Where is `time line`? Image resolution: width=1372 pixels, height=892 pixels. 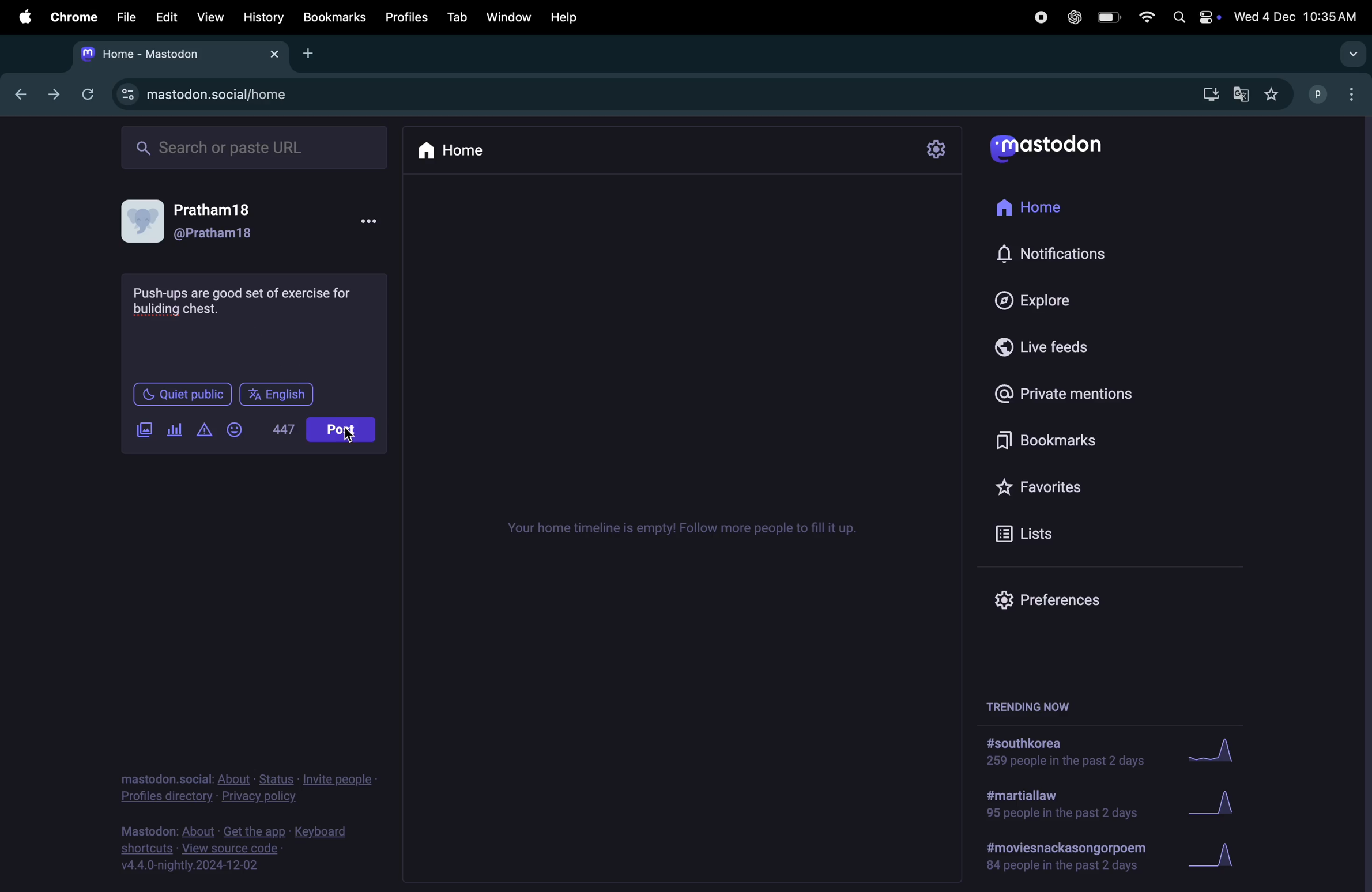 time line is located at coordinates (681, 529).